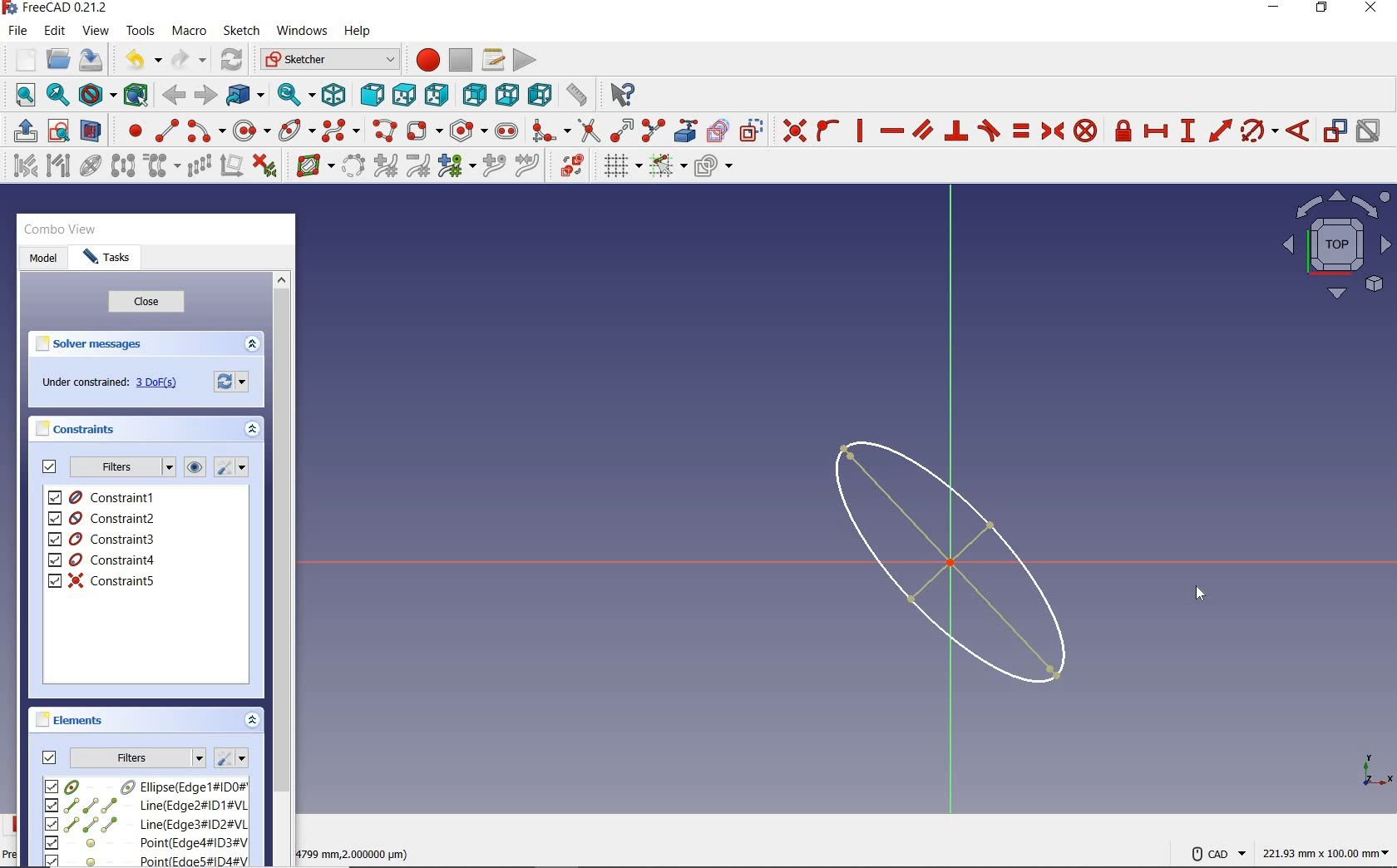 The height and width of the screenshot is (868, 1397). What do you see at coordinates (58, 60) in the screenshot?
I see `open` at bounding box center [58, 60].